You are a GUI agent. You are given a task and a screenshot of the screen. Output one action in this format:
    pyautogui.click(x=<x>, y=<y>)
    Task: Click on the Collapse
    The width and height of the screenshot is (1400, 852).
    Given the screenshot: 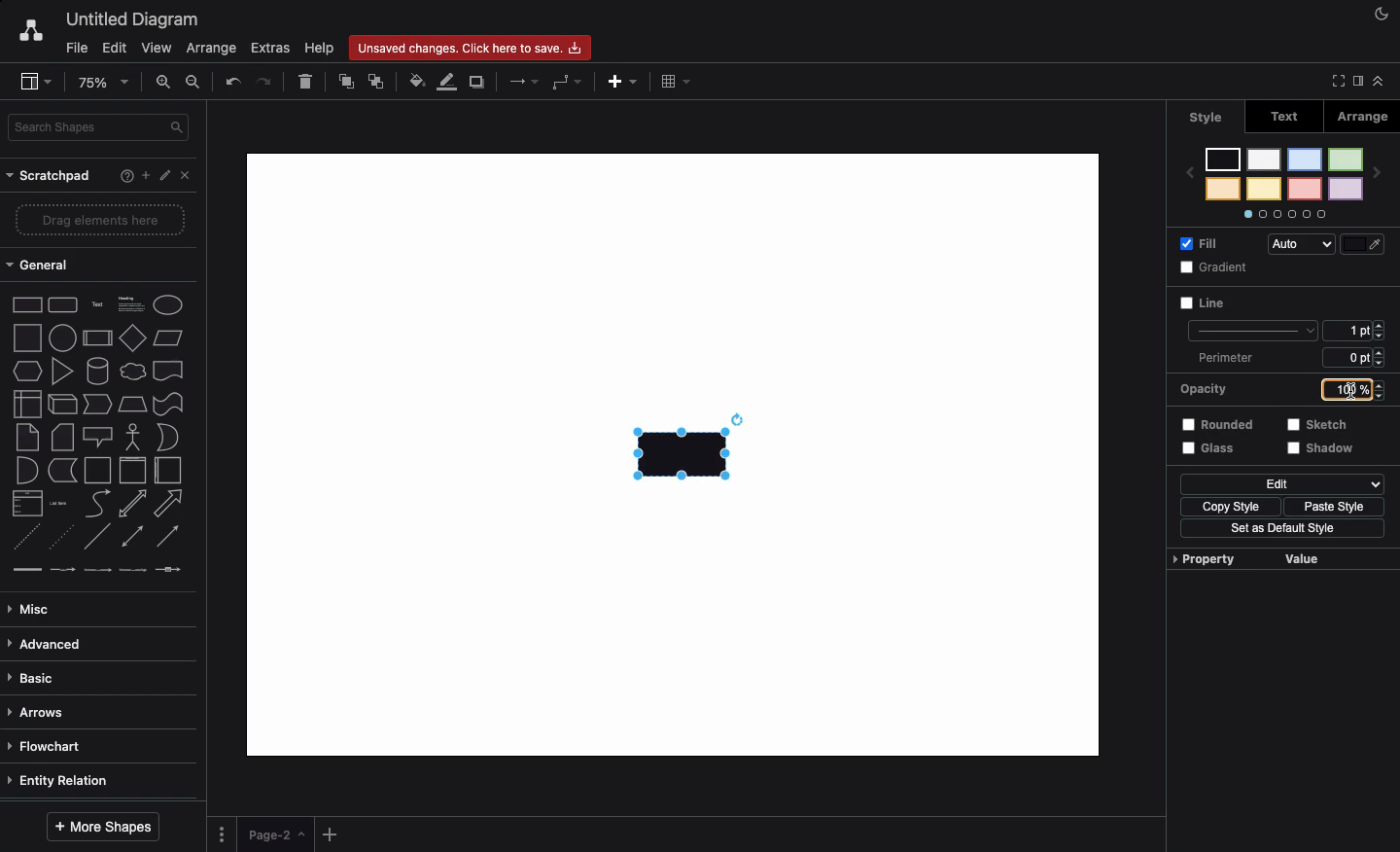 What is the action you would take?
    pyautogui.click(x=1378, y=82)
    